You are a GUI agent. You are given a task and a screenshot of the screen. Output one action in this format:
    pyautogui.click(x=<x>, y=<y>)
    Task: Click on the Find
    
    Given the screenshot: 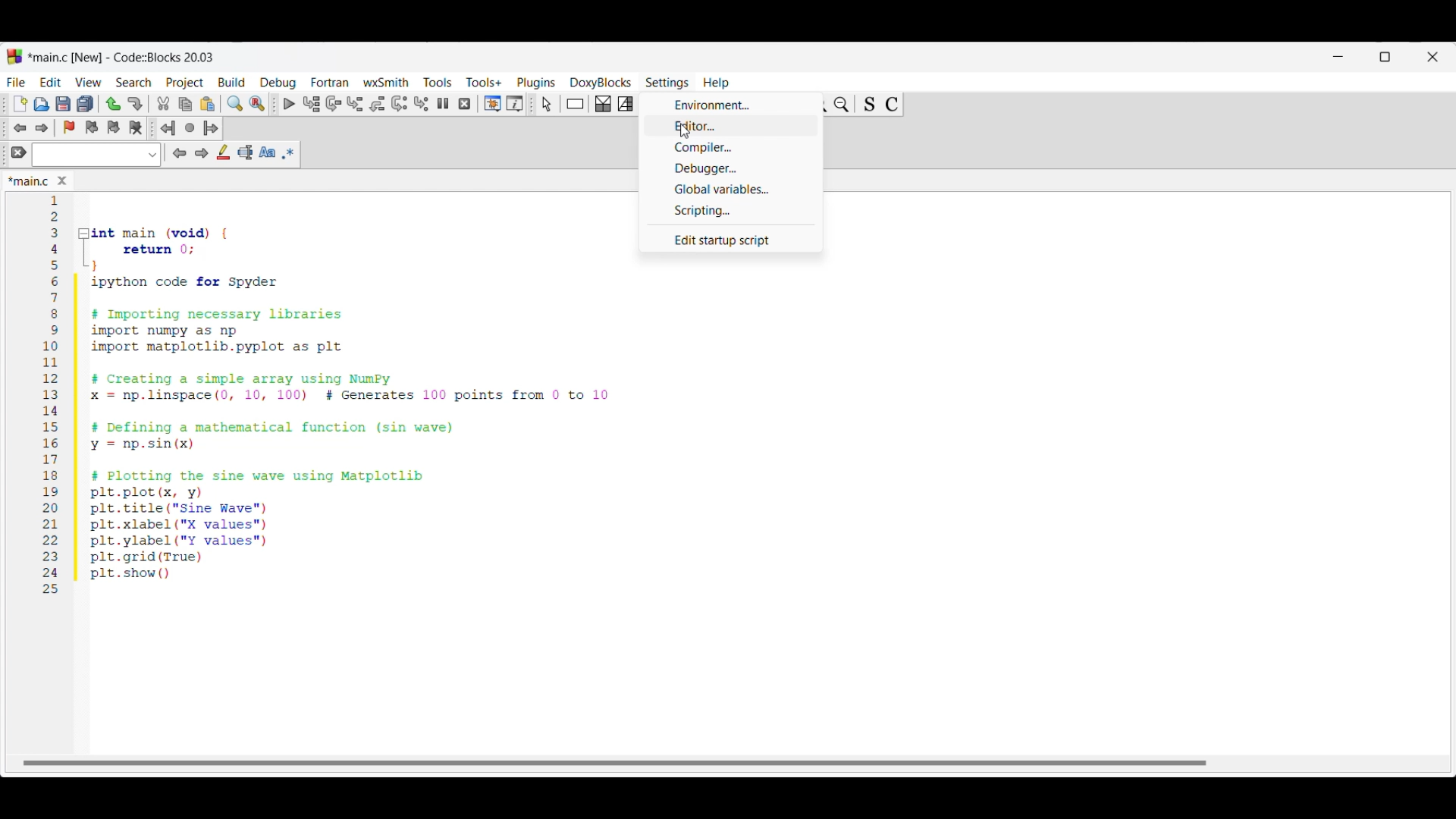 What is the action you would take?
    pyautogui.click(x=235, y=103)
    